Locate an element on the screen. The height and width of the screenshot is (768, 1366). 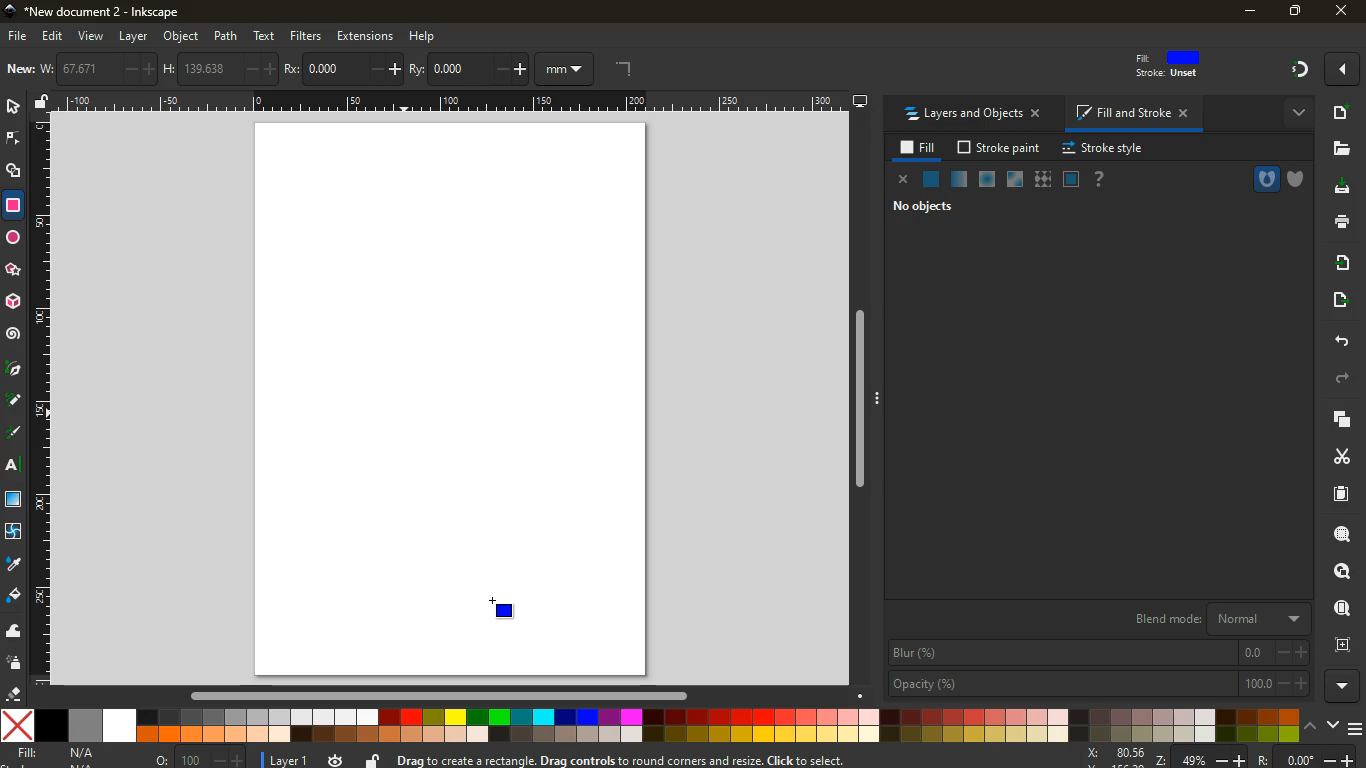
filters is located at coordinates (306, 37).